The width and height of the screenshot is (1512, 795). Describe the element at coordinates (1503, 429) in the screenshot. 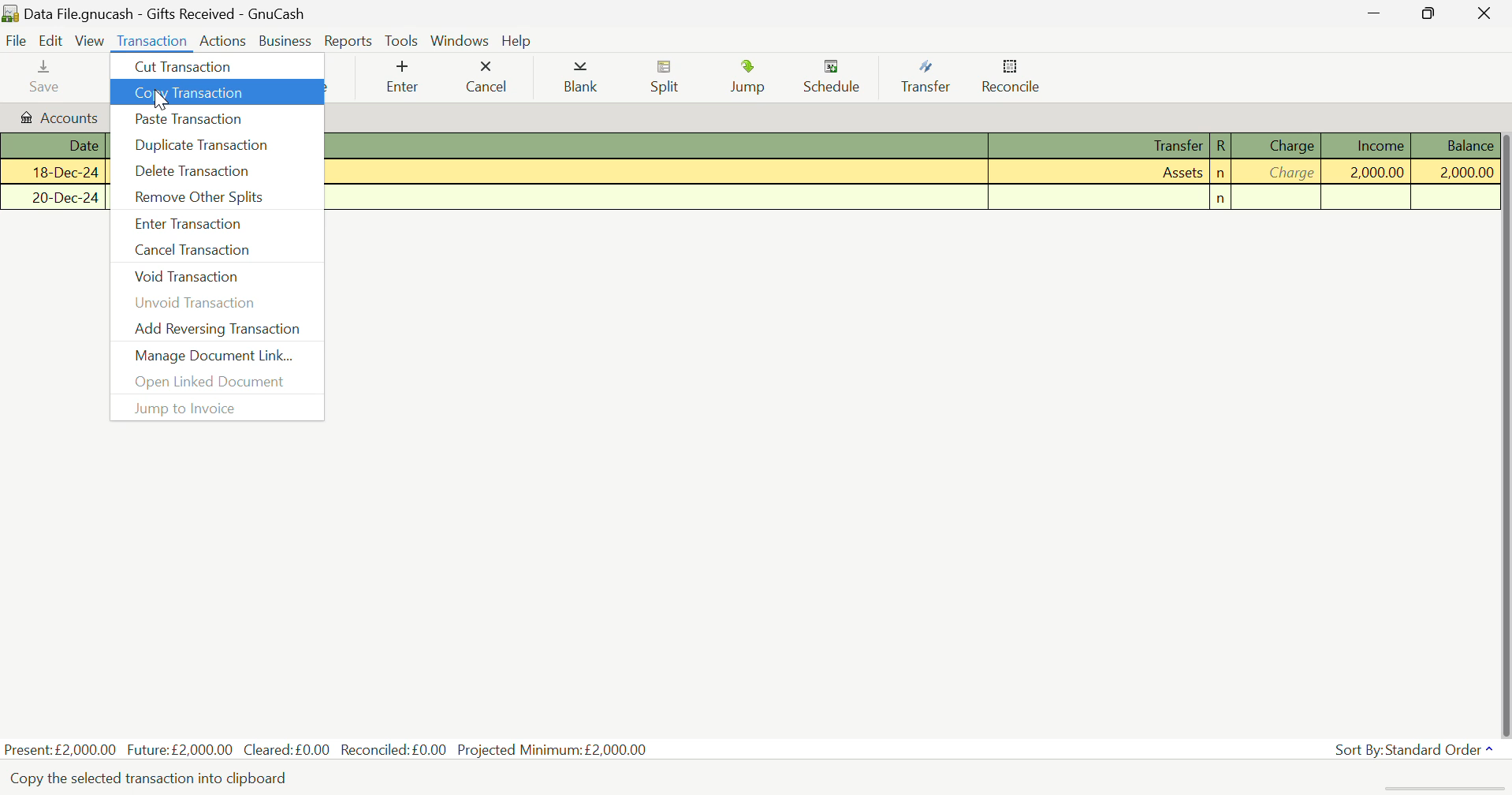

I see `Scroll Bar` at that location.